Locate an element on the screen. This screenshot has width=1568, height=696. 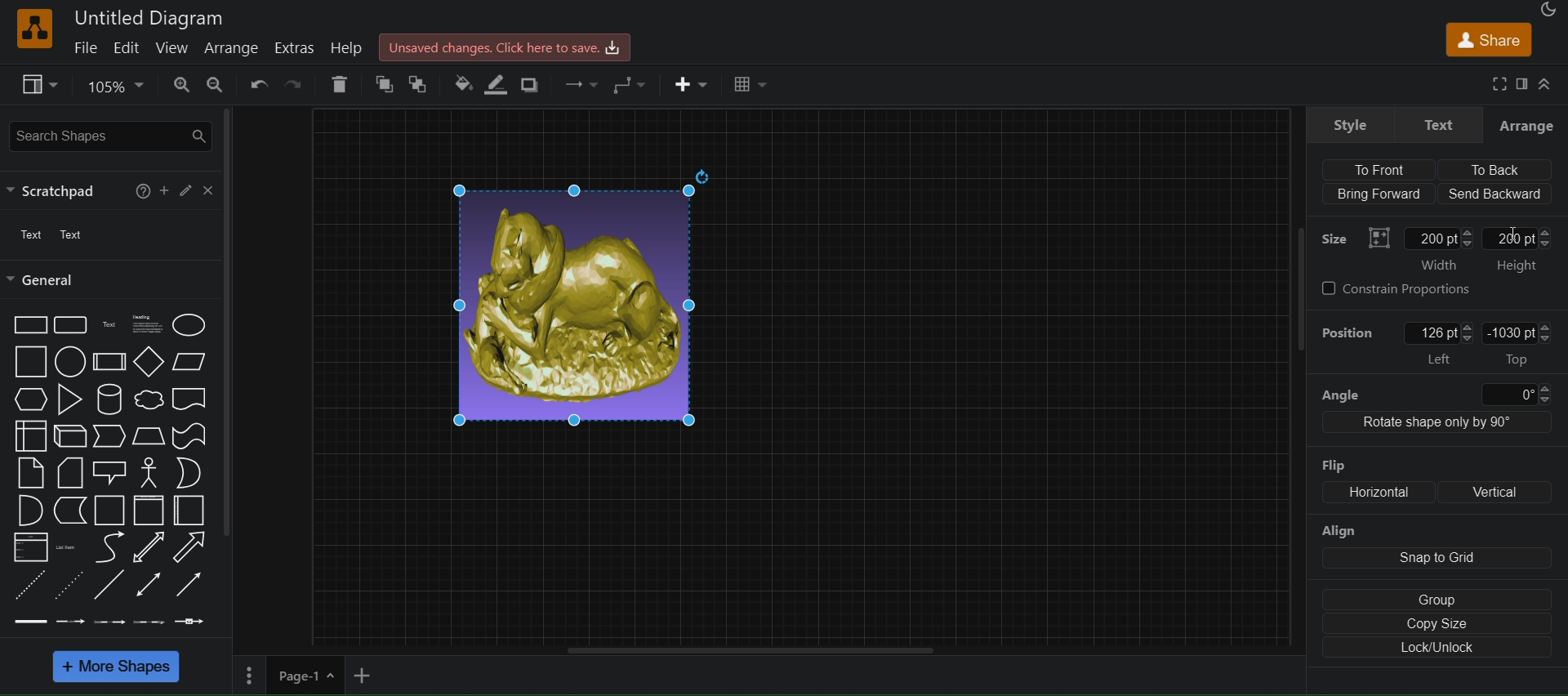
undo is located at coordinates (257, 86).